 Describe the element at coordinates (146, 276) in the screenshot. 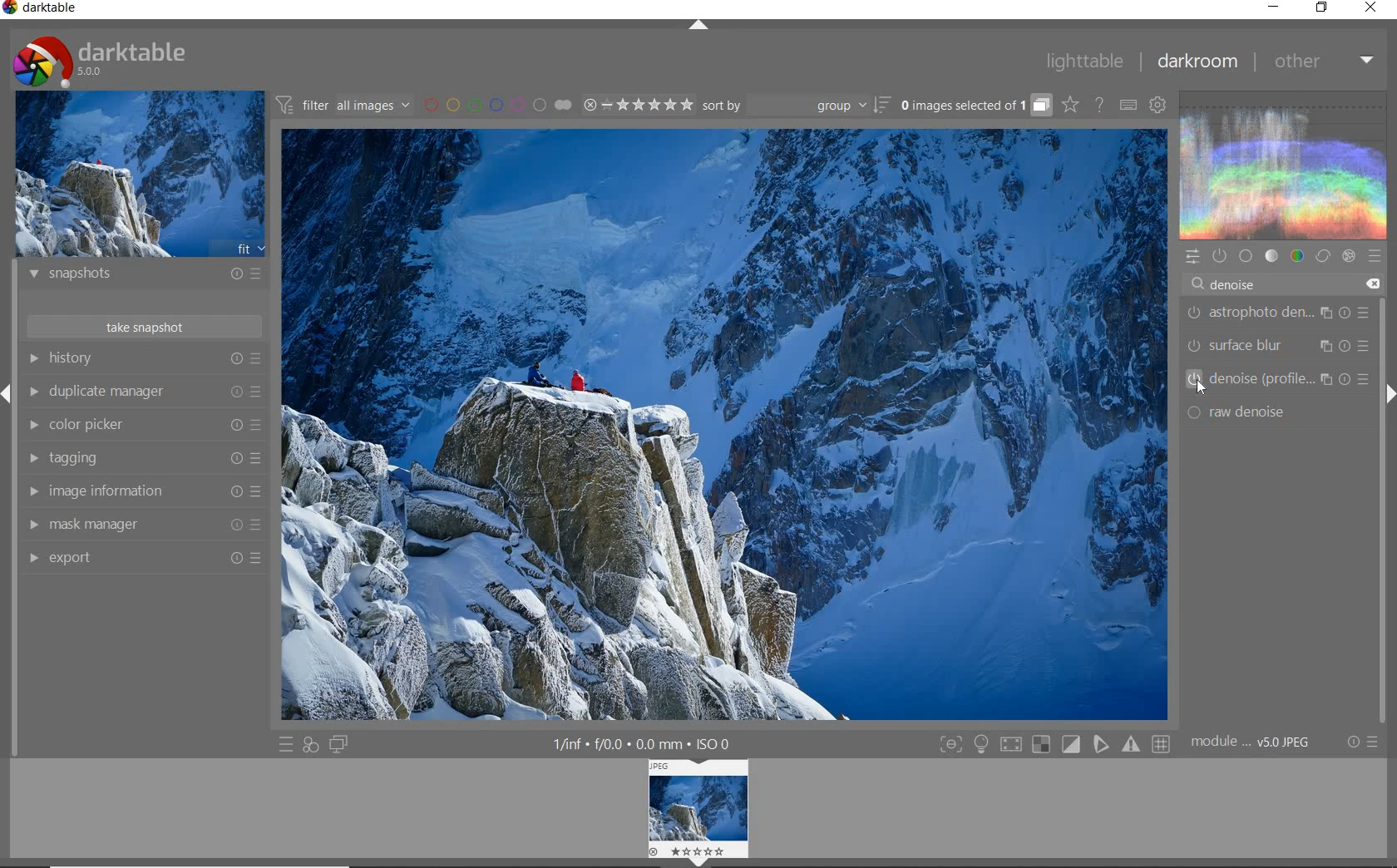

I see `snapshots` at that location.